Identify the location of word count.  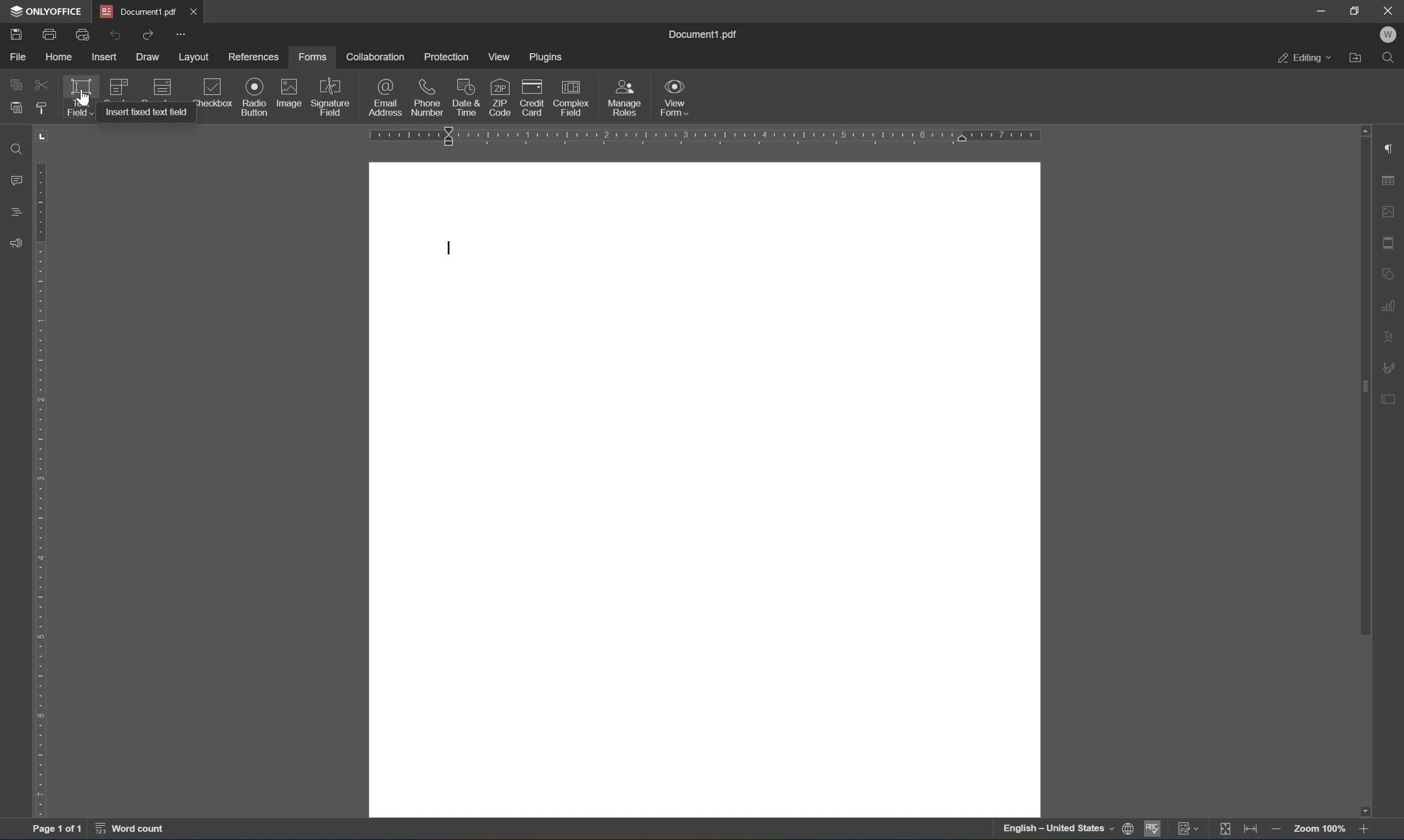
(134, 830).